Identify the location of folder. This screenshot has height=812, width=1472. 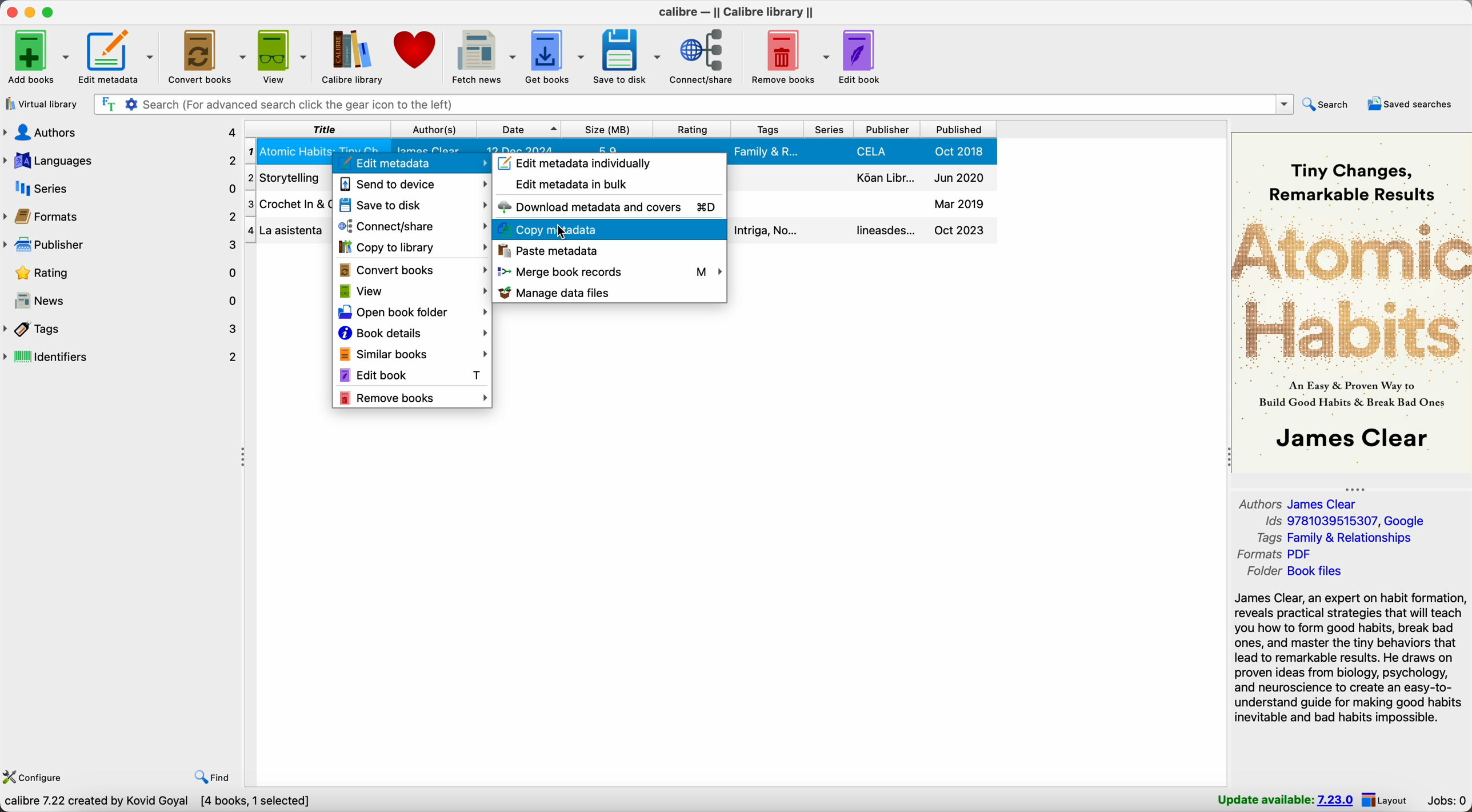
(1293, 573).